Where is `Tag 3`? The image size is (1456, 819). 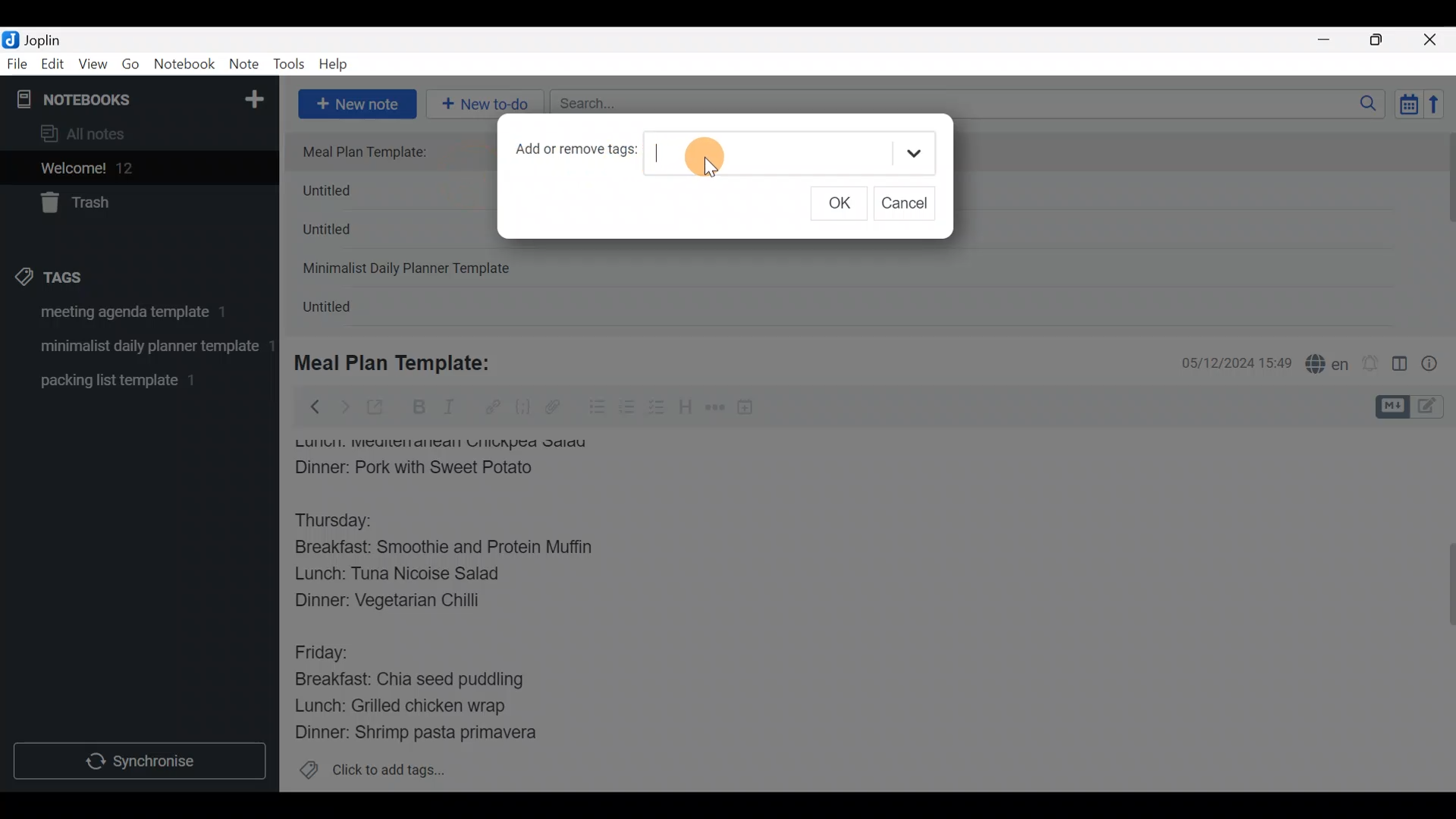 Tag 3 is located at coordinates (134, 380).